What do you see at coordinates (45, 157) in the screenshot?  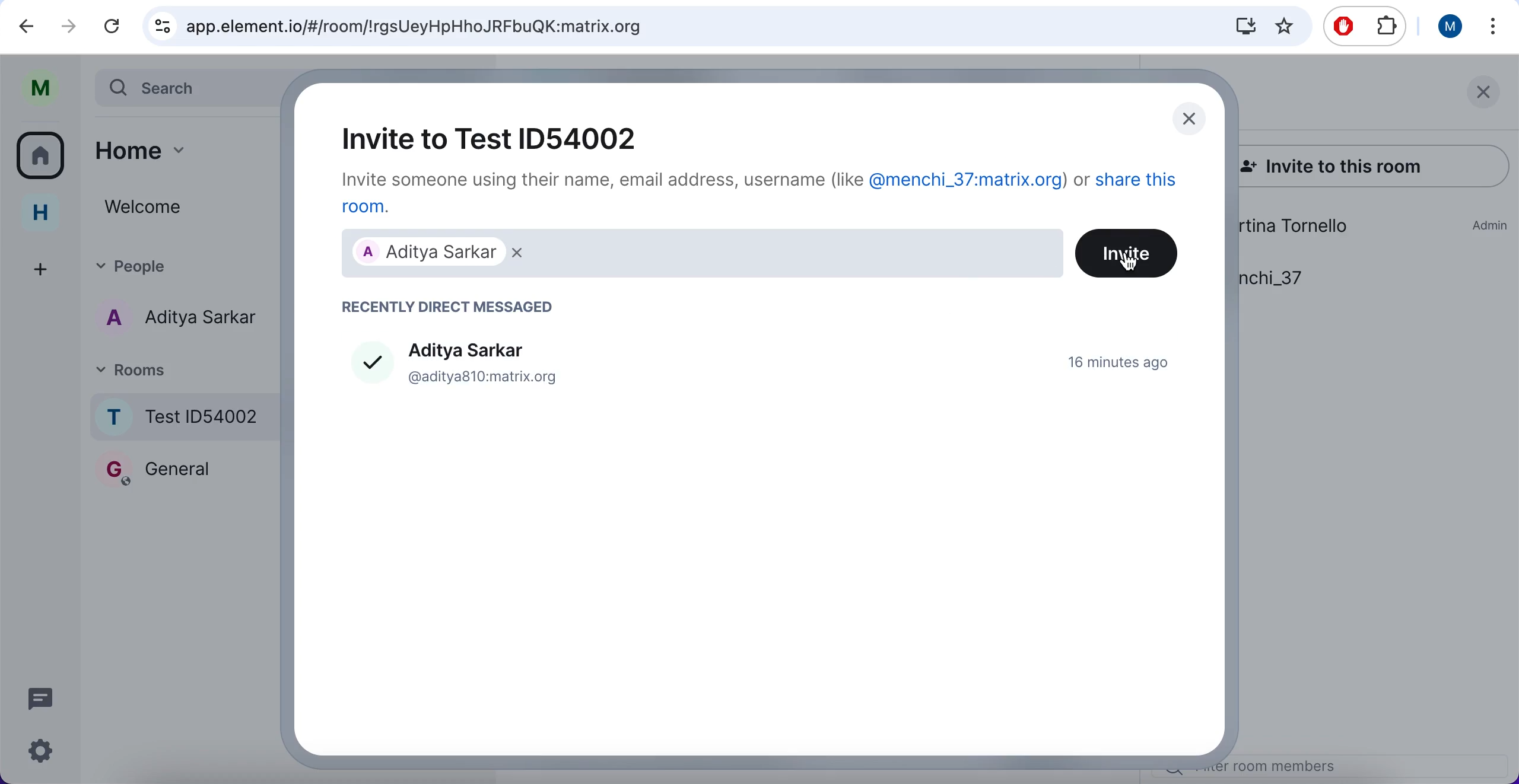 I see `rooms` at bounding box center [45, 157].